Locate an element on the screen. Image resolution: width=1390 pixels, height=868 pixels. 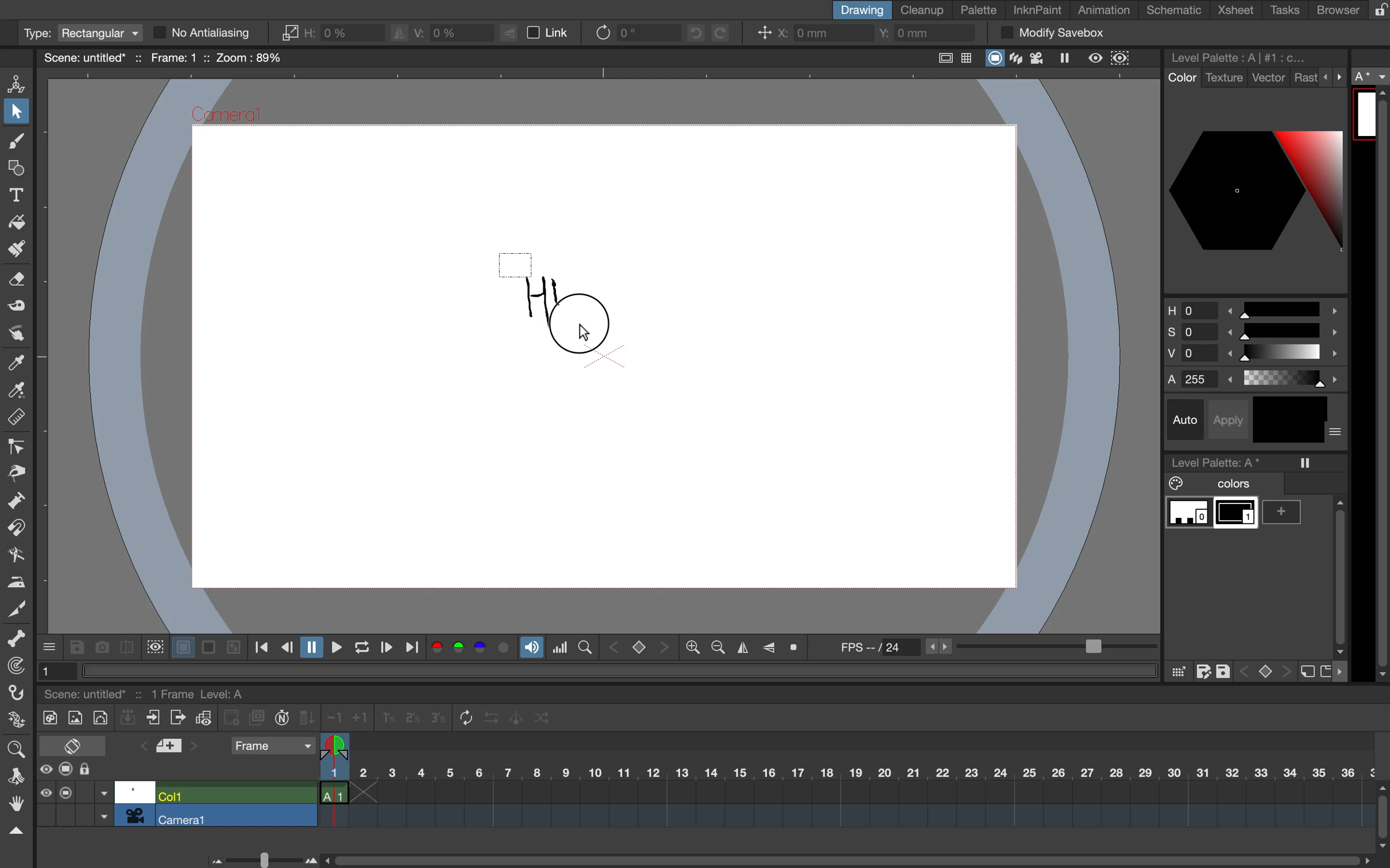
3d view is located at coordinates (1018, 59).